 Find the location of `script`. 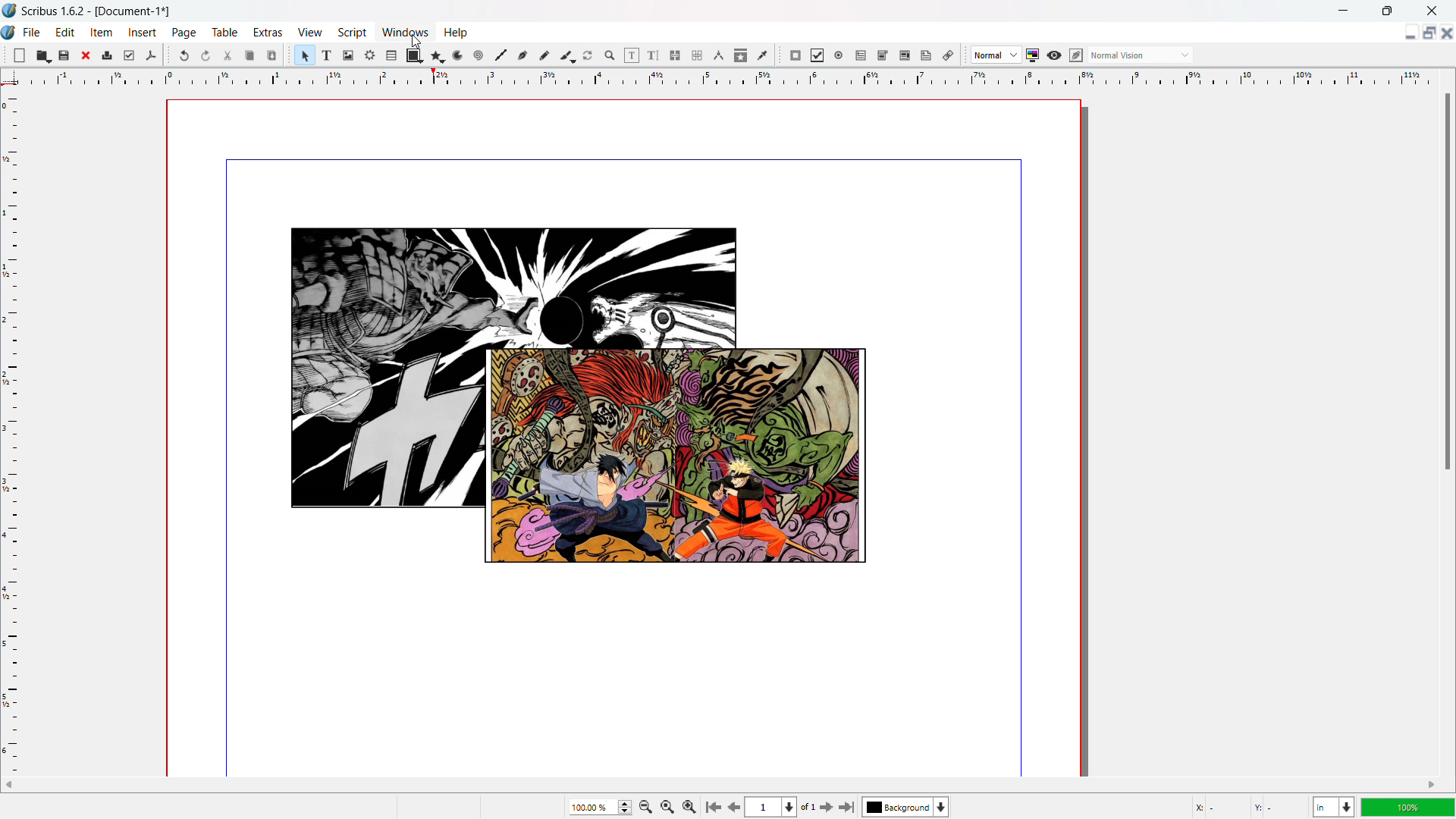

script is located at coordinates (352, 33).